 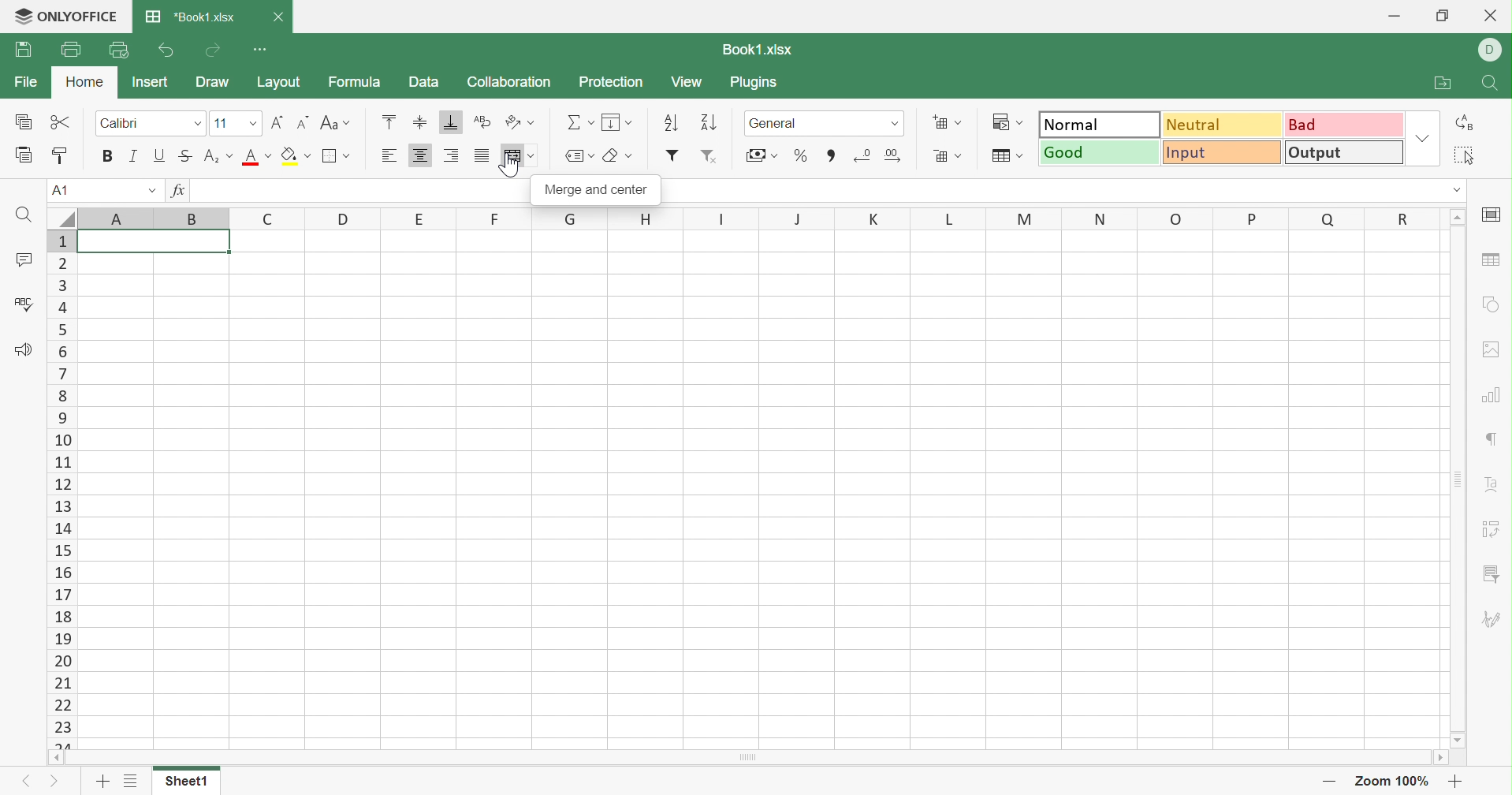 I want to click on Increase Decimal, so click(x=892, y=155).